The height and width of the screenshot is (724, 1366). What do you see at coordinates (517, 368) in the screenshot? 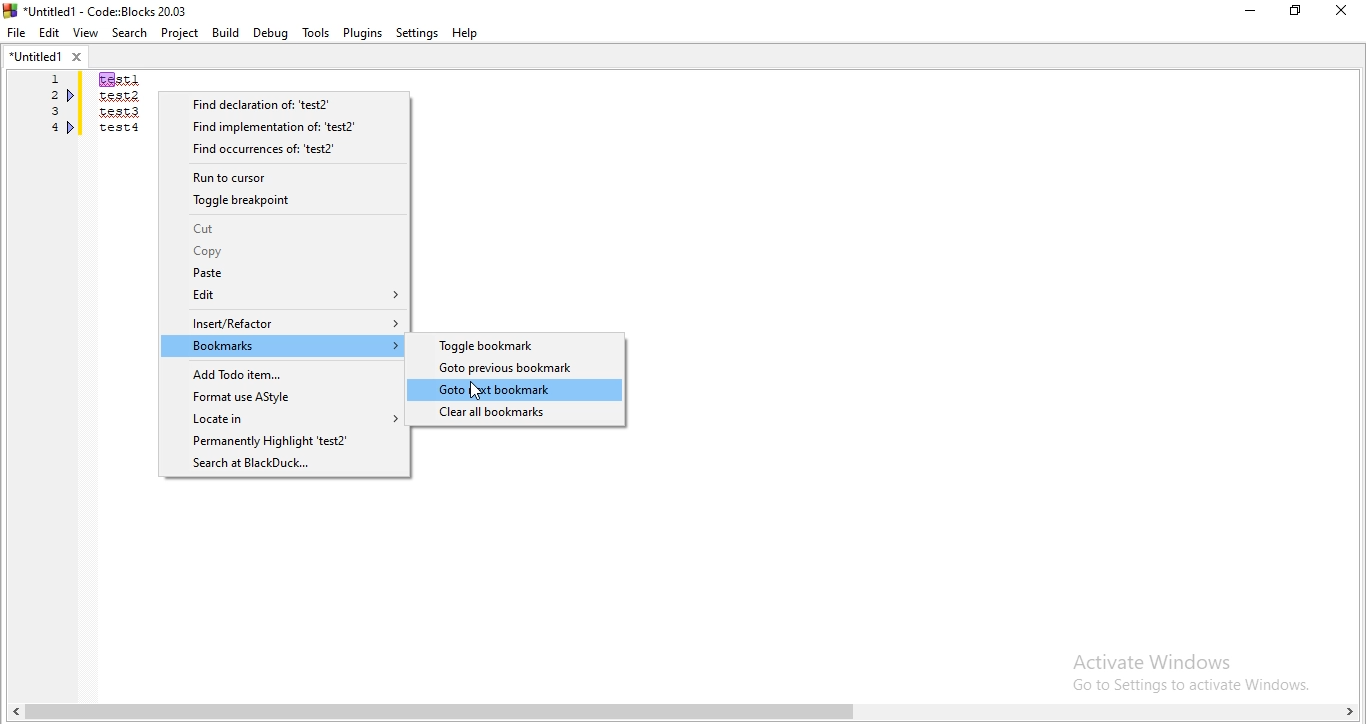
I see `Goto previous bookmark` at bounding box center [517, 368].